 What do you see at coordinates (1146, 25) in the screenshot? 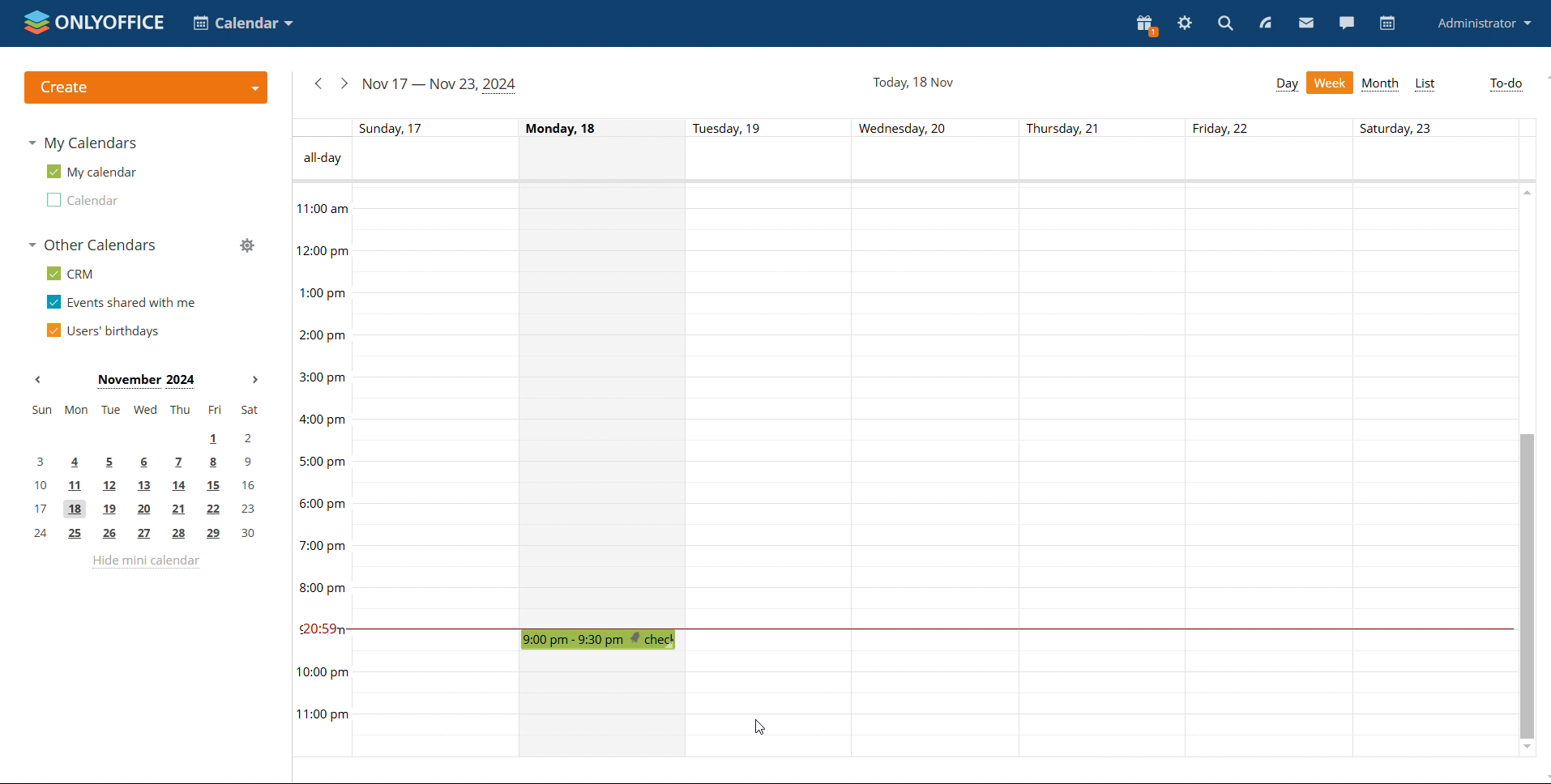
I see `present` at bounding box center [1146, 25].